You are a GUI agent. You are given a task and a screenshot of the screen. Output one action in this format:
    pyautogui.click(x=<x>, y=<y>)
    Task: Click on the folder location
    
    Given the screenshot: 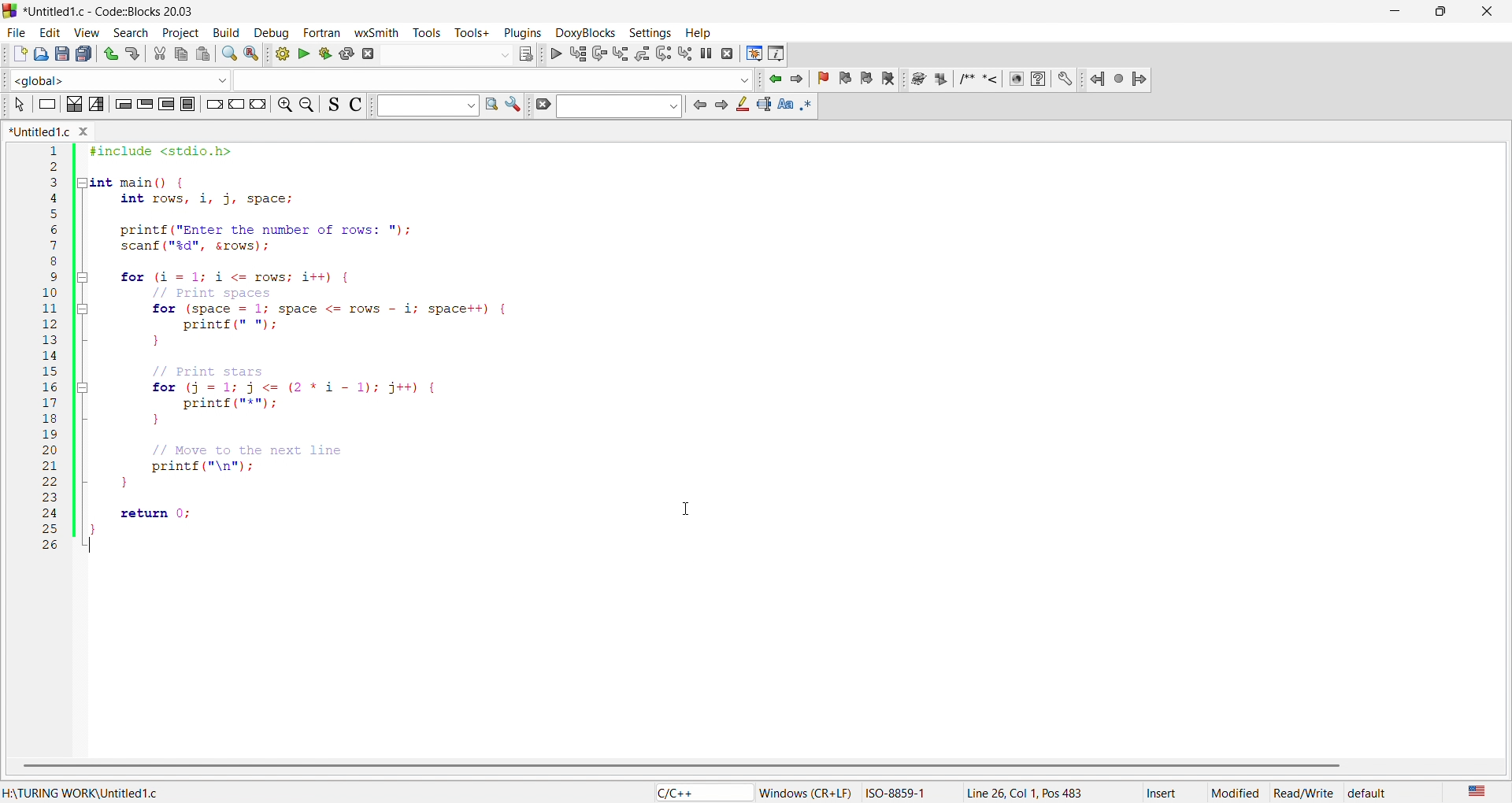 What is the action you would take?
    pyautogui.click(x=90, y=791)
    